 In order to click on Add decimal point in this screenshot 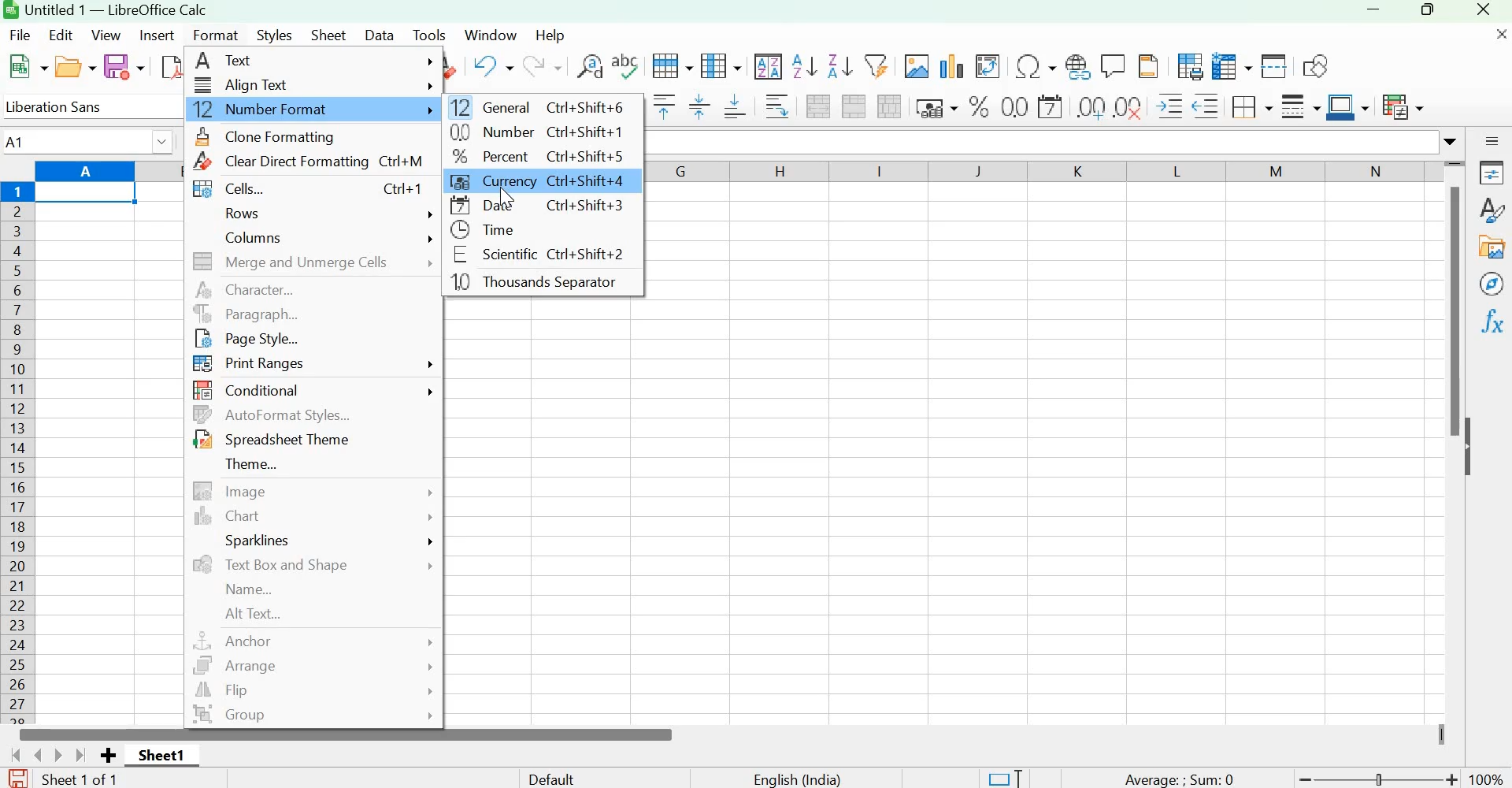, I will do `click(1086, 106)`.